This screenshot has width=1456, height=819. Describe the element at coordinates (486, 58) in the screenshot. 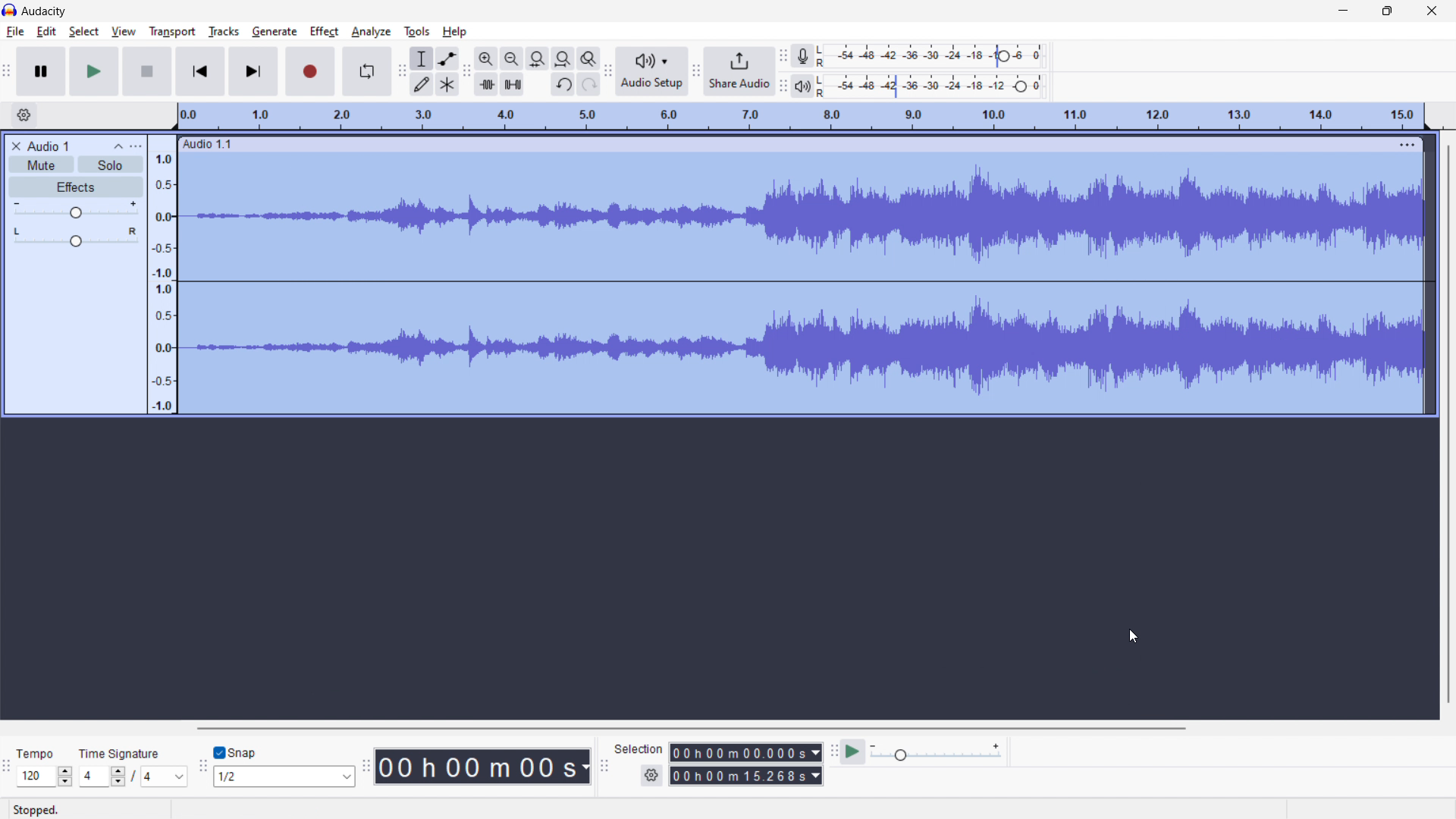

I see `zoom in` at that location.